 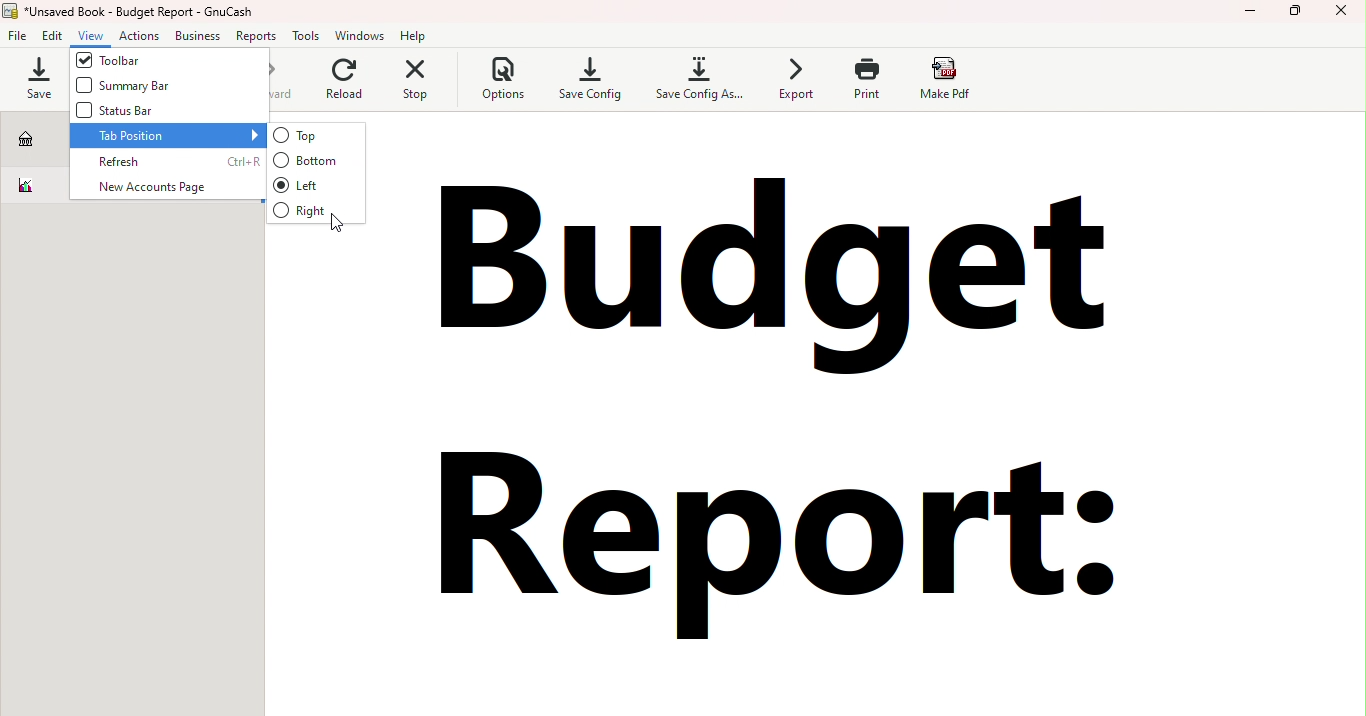 I want to click on View, so click(x=90, y=35).